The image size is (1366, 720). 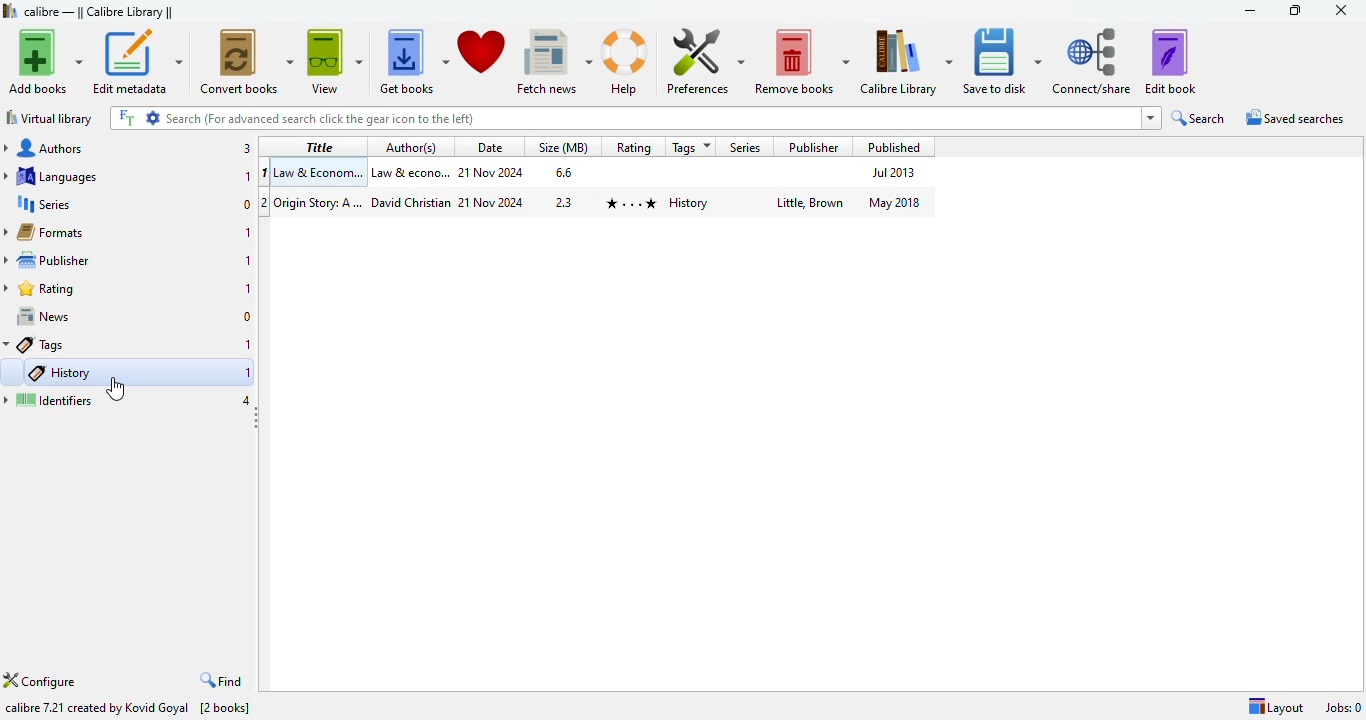 I want to click on saved searches, so click(x=1294, y=116).